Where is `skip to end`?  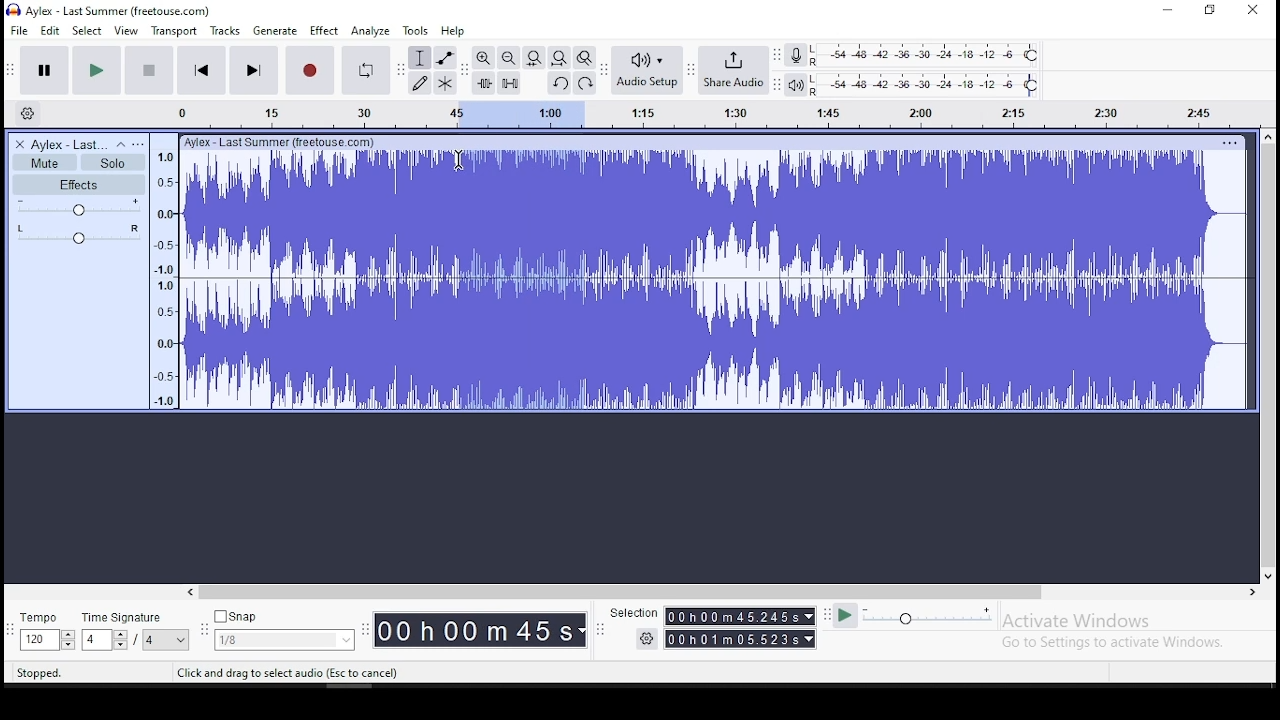
skip to end is located at coordinates (254, 71).